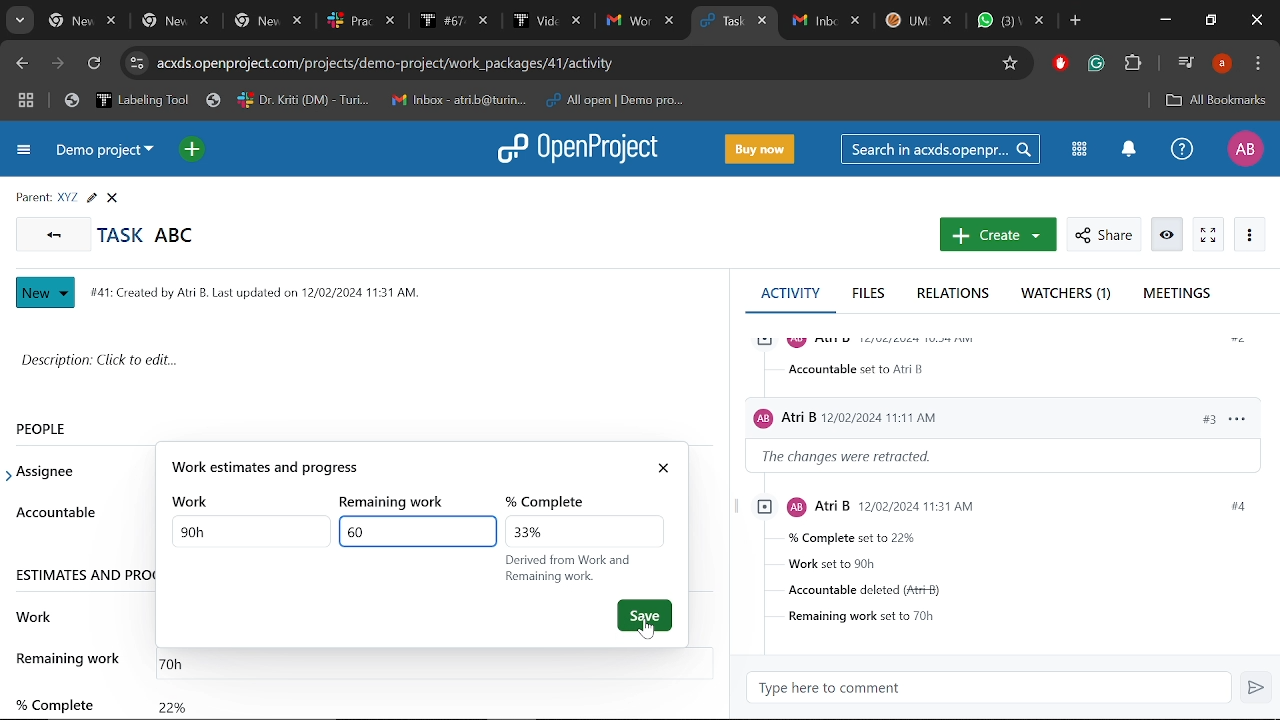 Image resolution: width=1280 pixels, height=720 pixels. I want to click on Cursor, so click(651, 637).